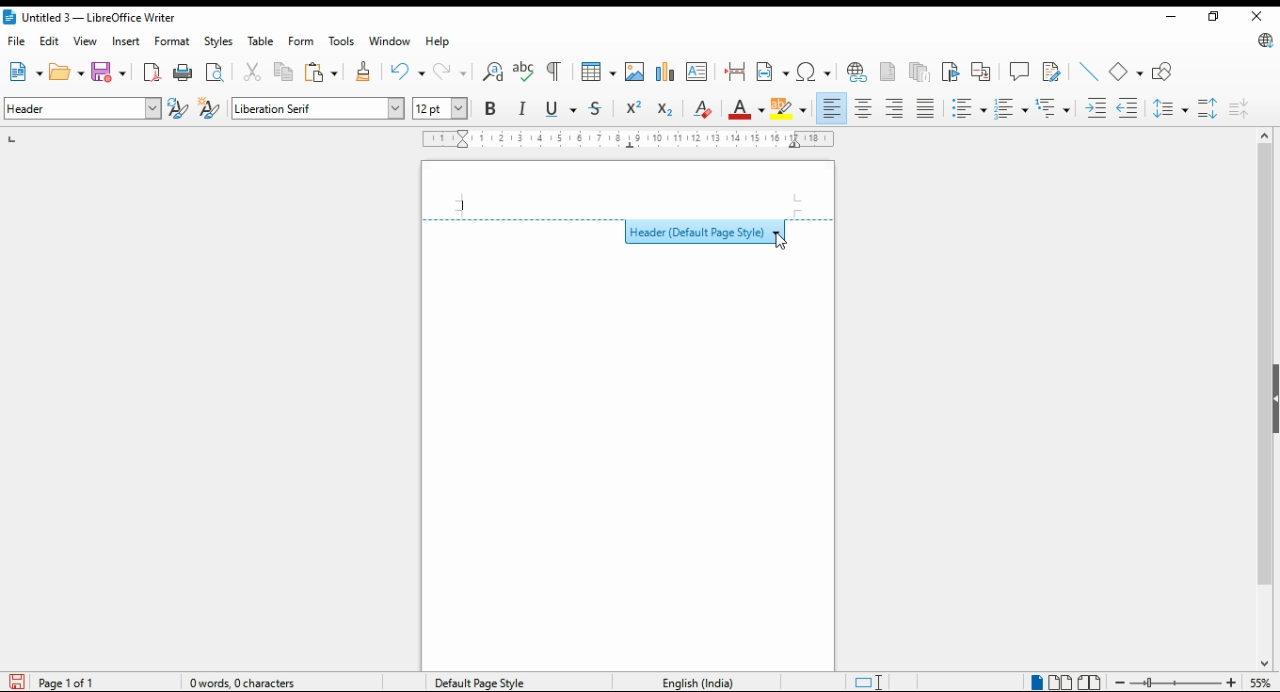  What do you see at coordinates (556, 71) in the screenshot?
I see `toggle formatting marks` at bounding box center [556, 71].